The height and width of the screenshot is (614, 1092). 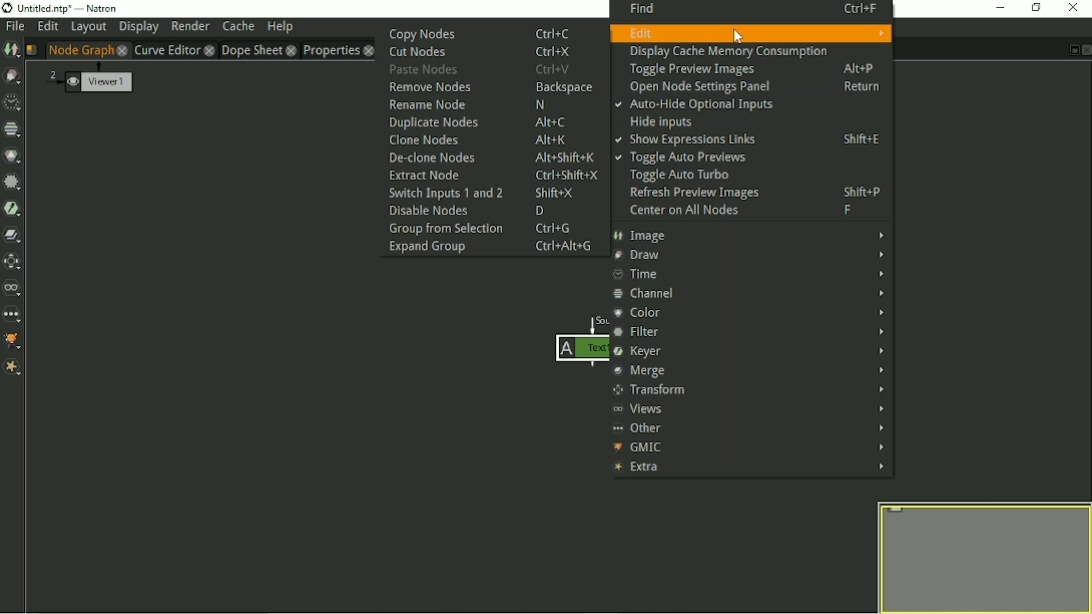 I want to click on Time, so click(x=12, y=103).